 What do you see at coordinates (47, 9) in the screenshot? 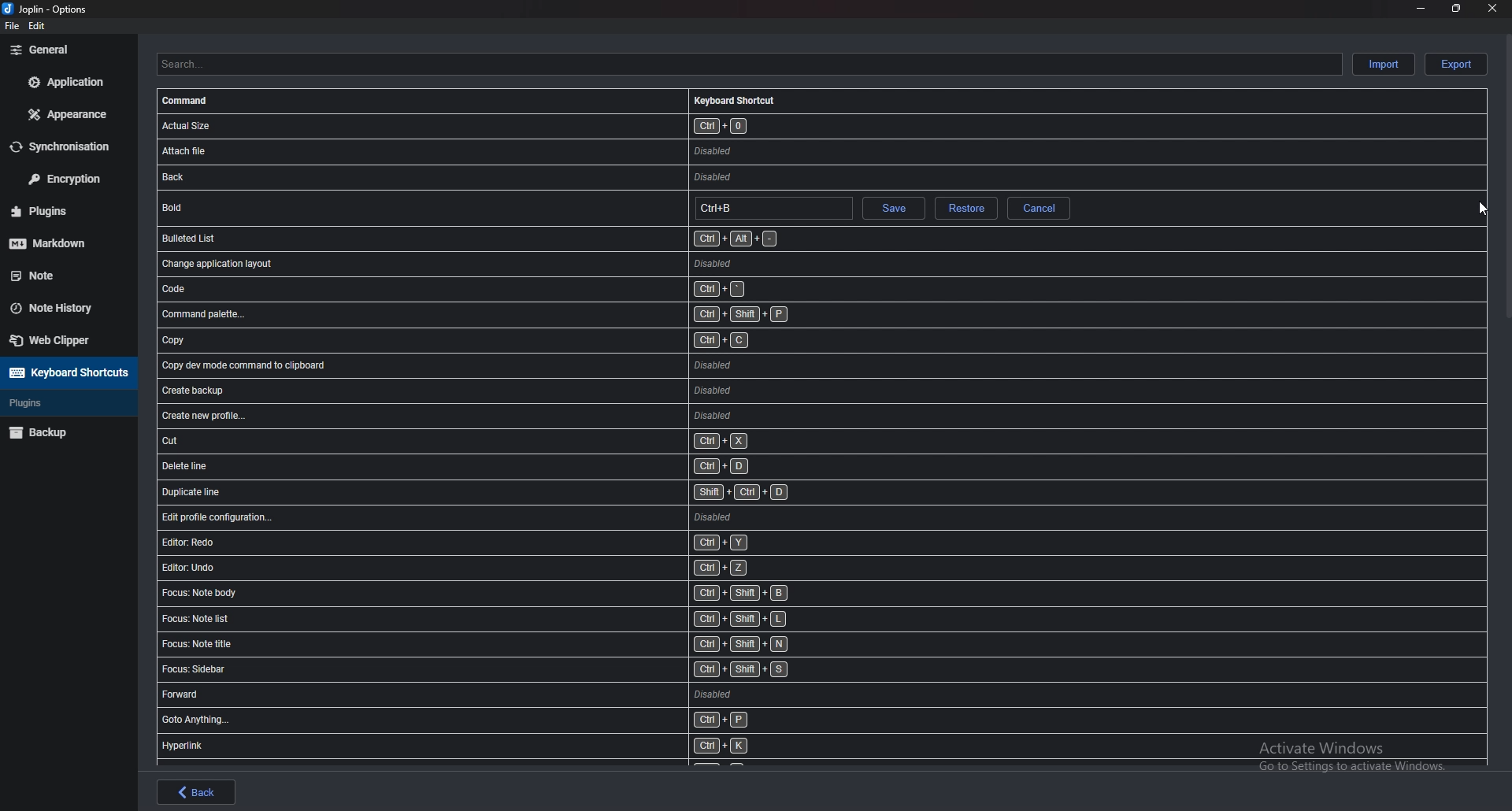
I see `options` at bounding box center [47, 9].